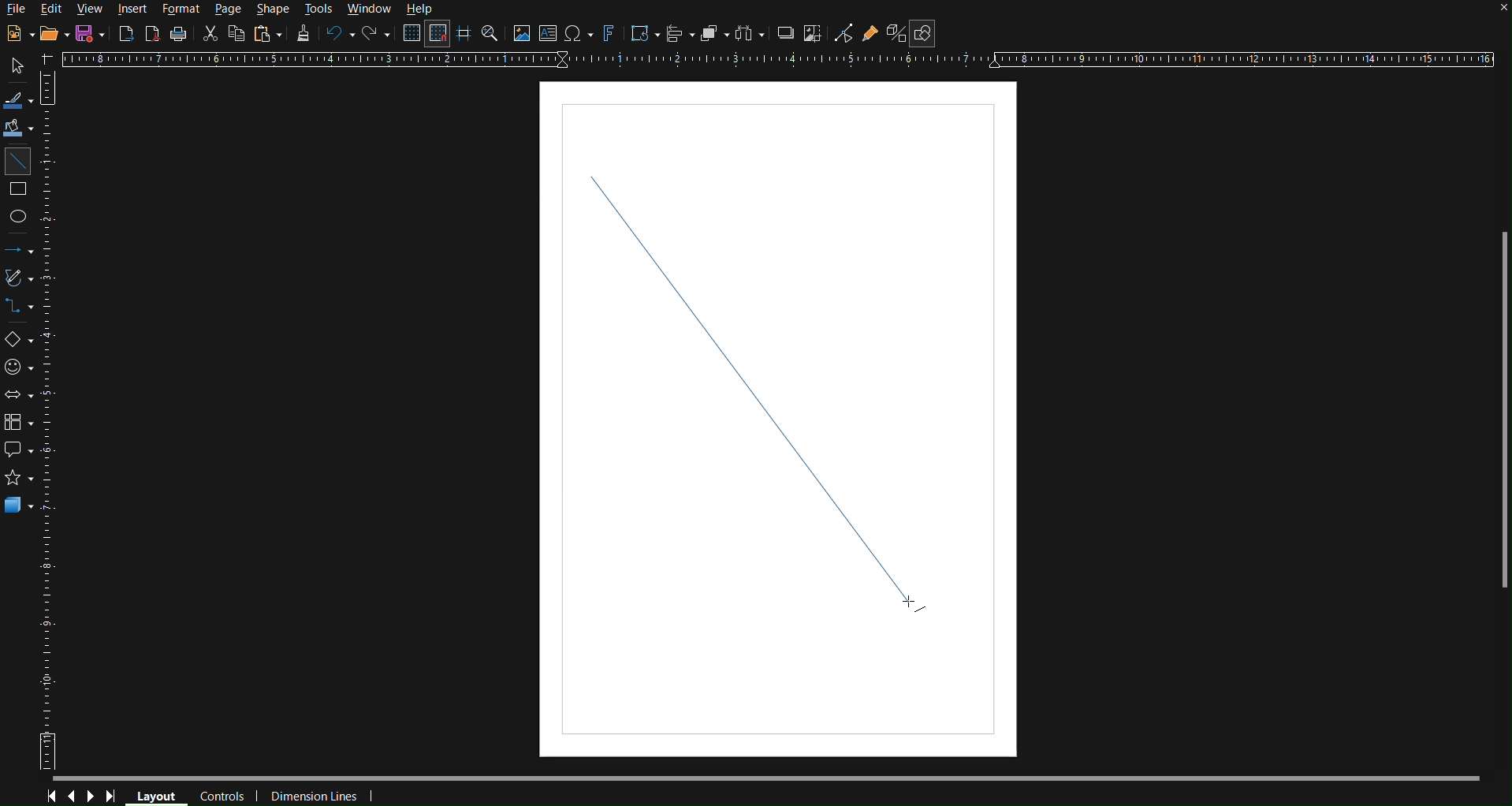 The image size is (1512, 806). I want to click on Fill Color, so click(20, 129).